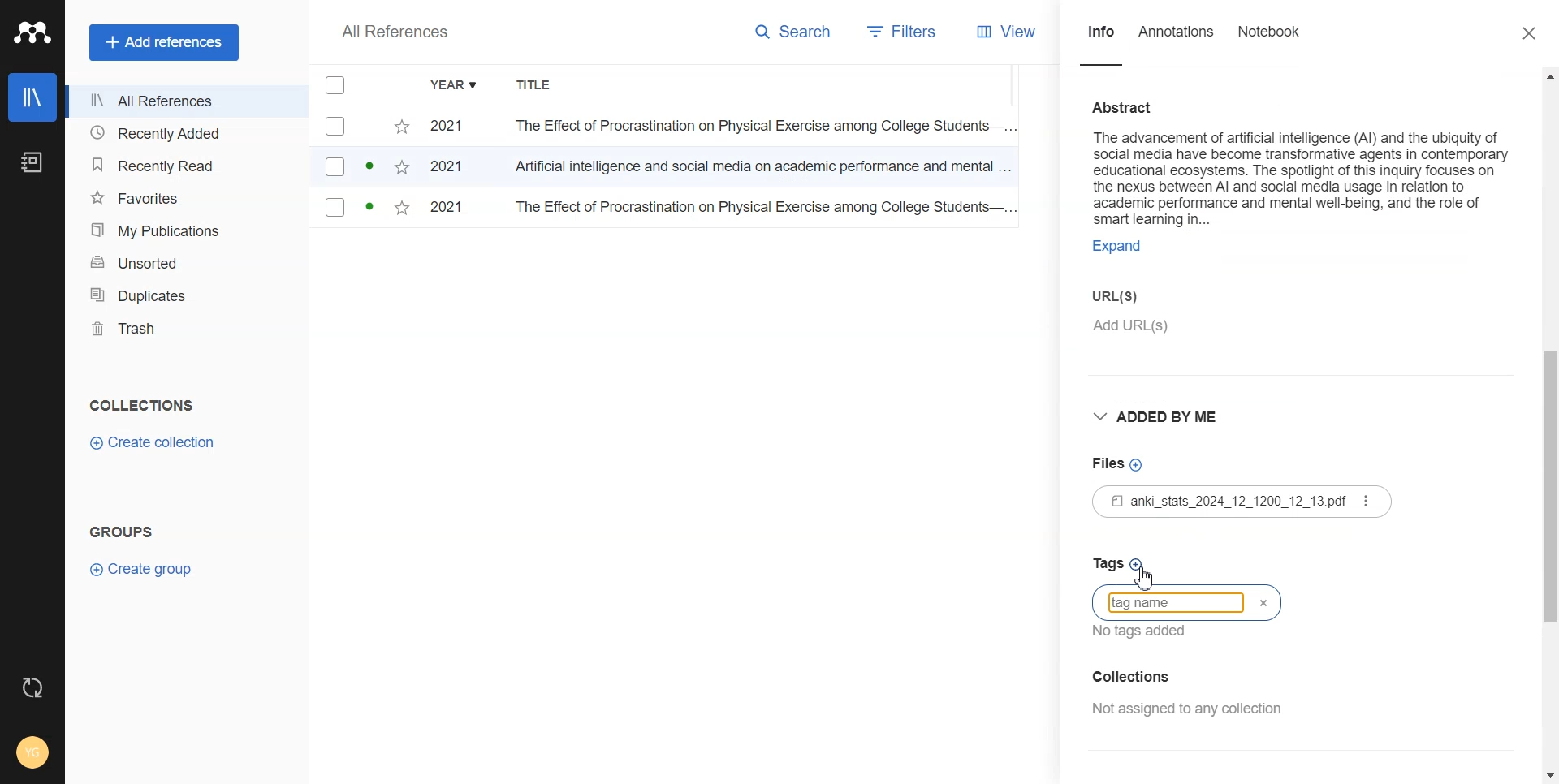 The width and height of the screenshot is (1559, 784). Describe the element at coordinates (185, 197) in the screenshot. I see `Favorites` at that location.